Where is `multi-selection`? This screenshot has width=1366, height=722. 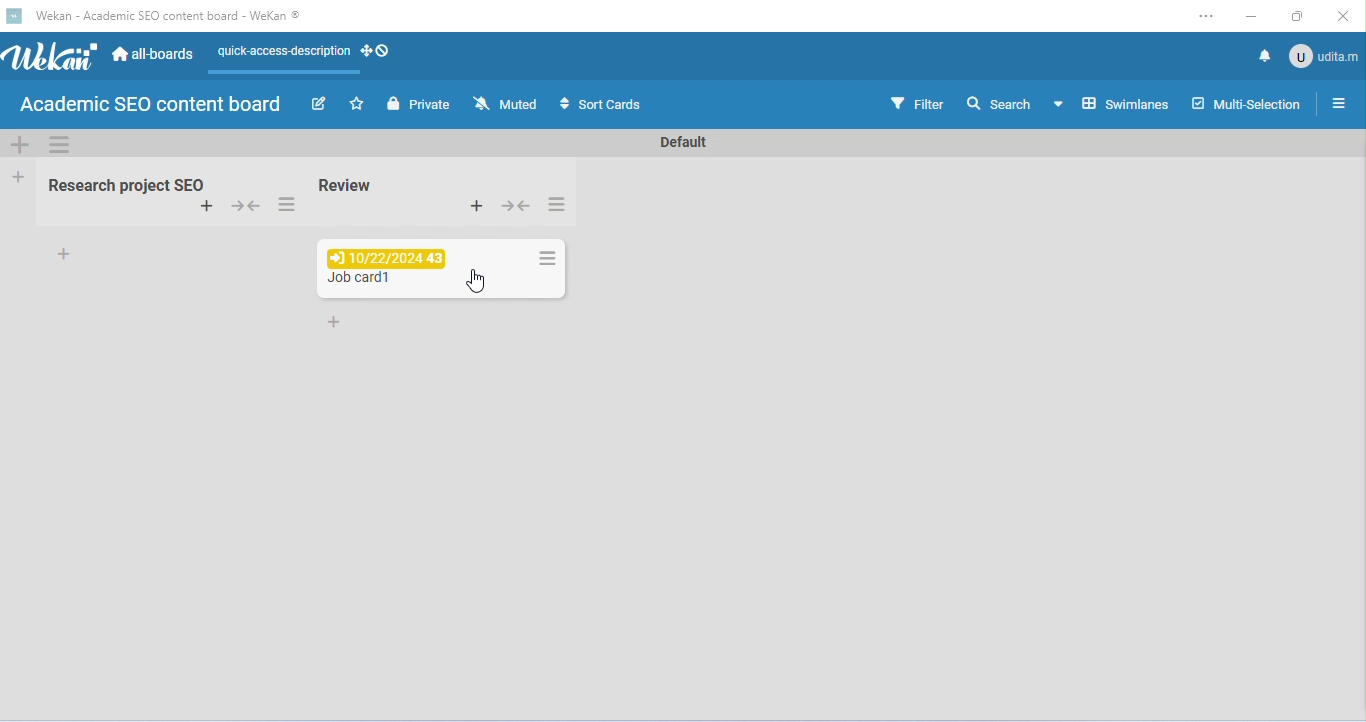 multi-selection is located at coordinates (1245, 103).